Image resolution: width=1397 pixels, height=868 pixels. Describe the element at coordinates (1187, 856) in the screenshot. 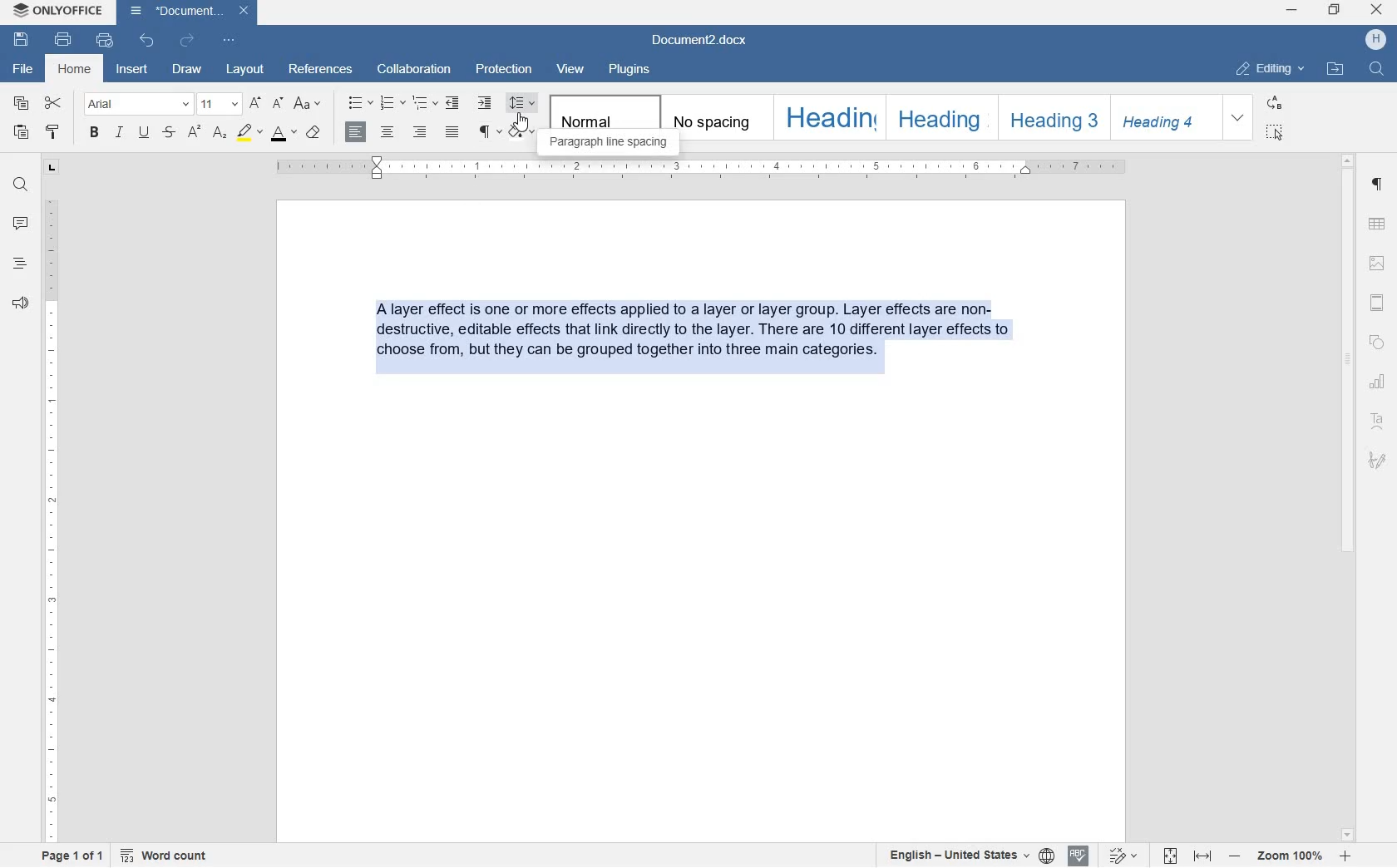

I see `fit to page or to width` at that location.